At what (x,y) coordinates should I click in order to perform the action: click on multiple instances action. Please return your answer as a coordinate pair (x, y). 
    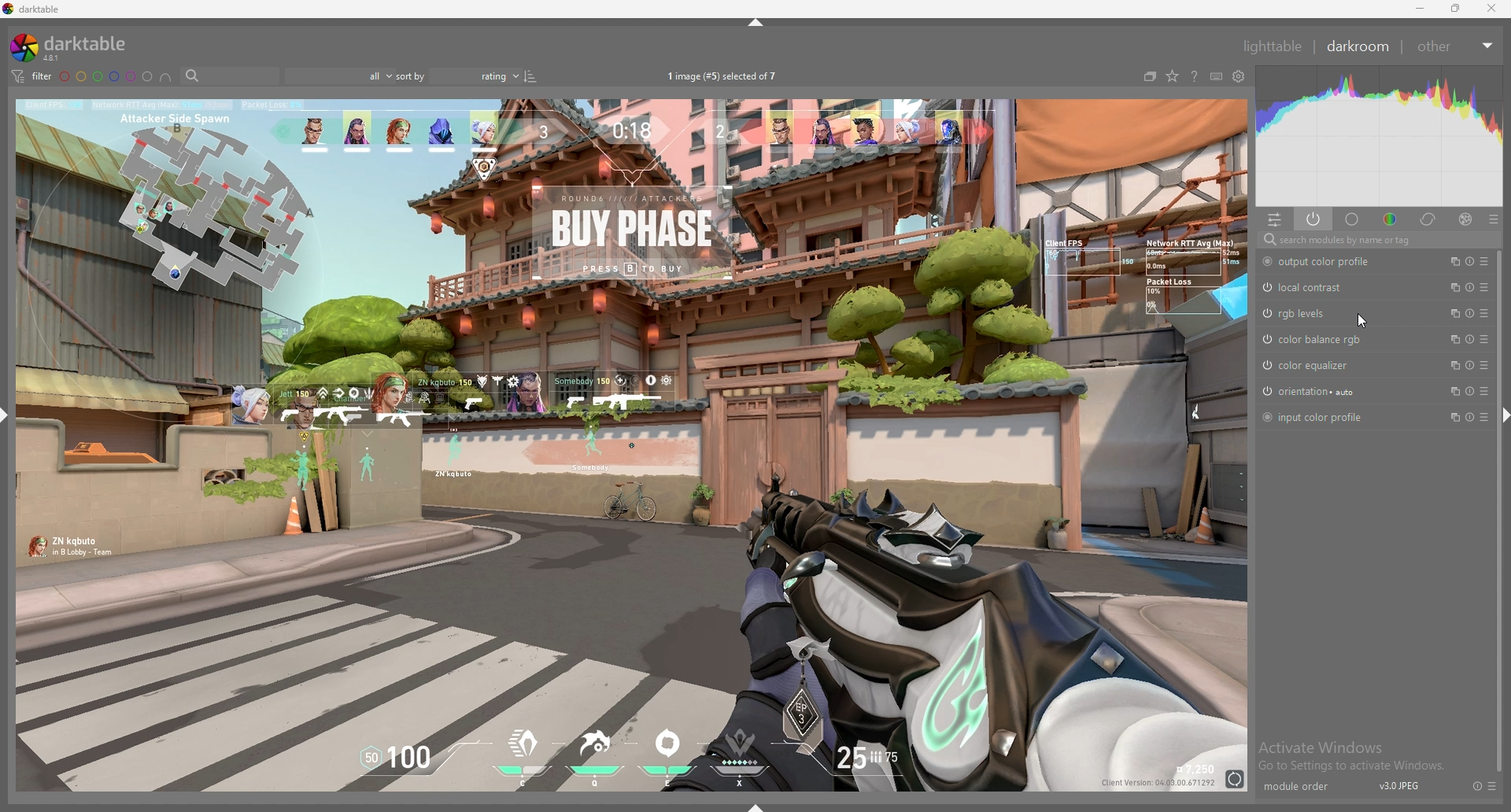
    Looking at the image, I should click on (1451, 364).